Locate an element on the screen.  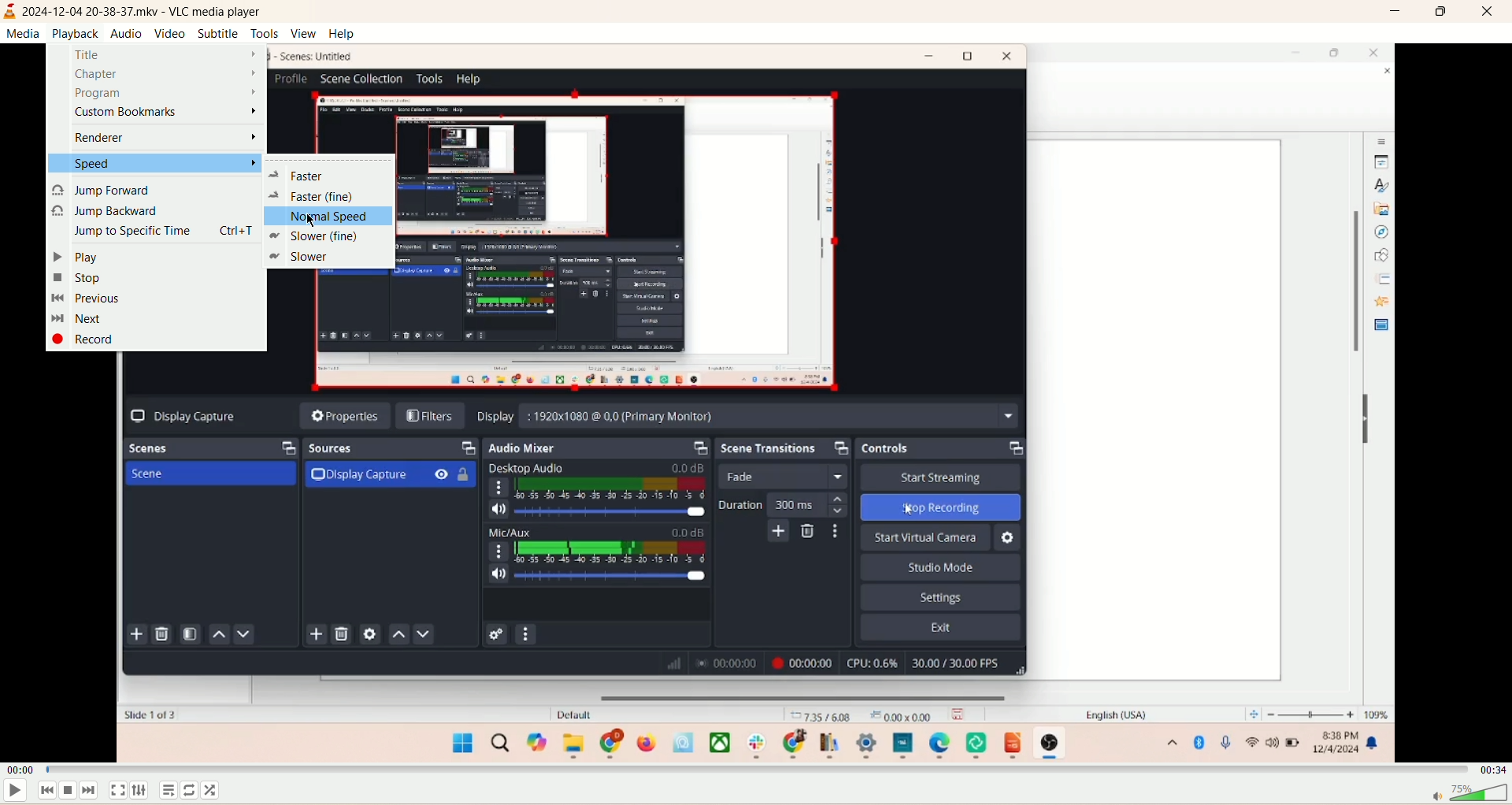
play/pause is located at coordinates (16, 793).